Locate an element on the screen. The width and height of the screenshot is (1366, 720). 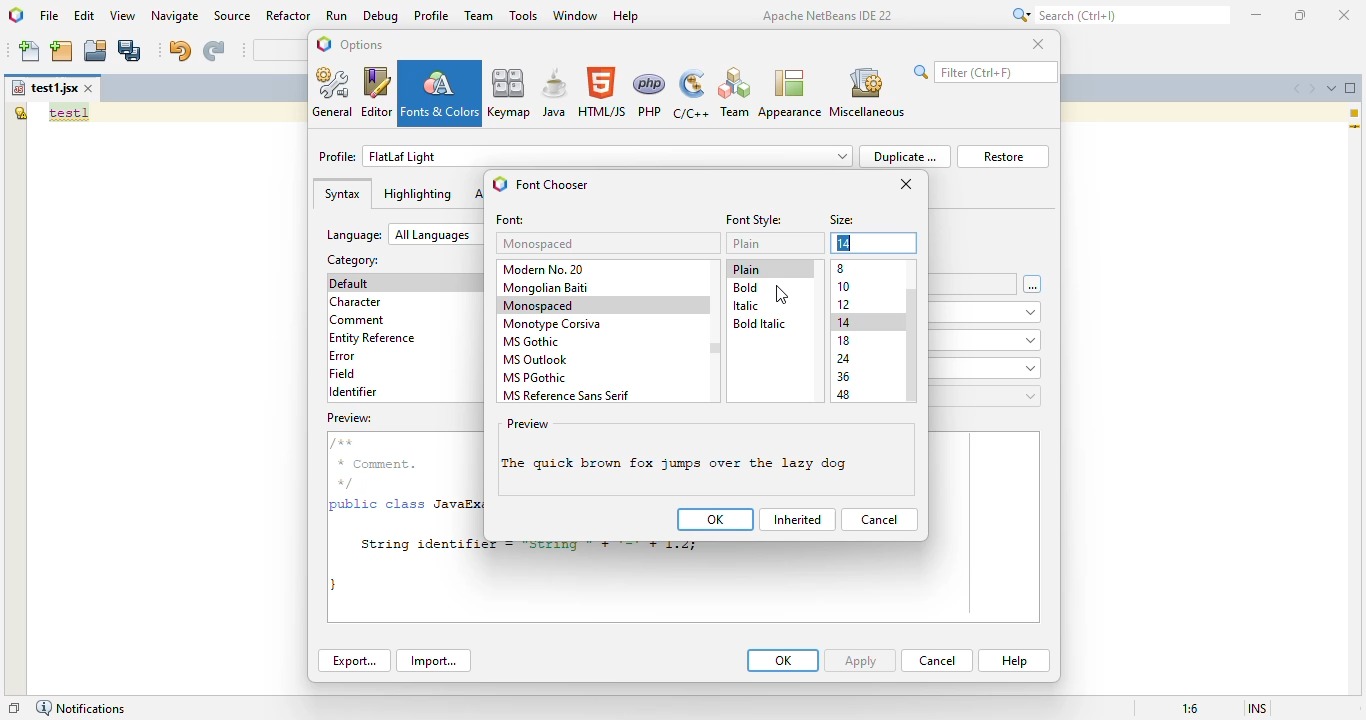
The quick brown fox jumps over the lazy dog is located at coordinates (686, 464).